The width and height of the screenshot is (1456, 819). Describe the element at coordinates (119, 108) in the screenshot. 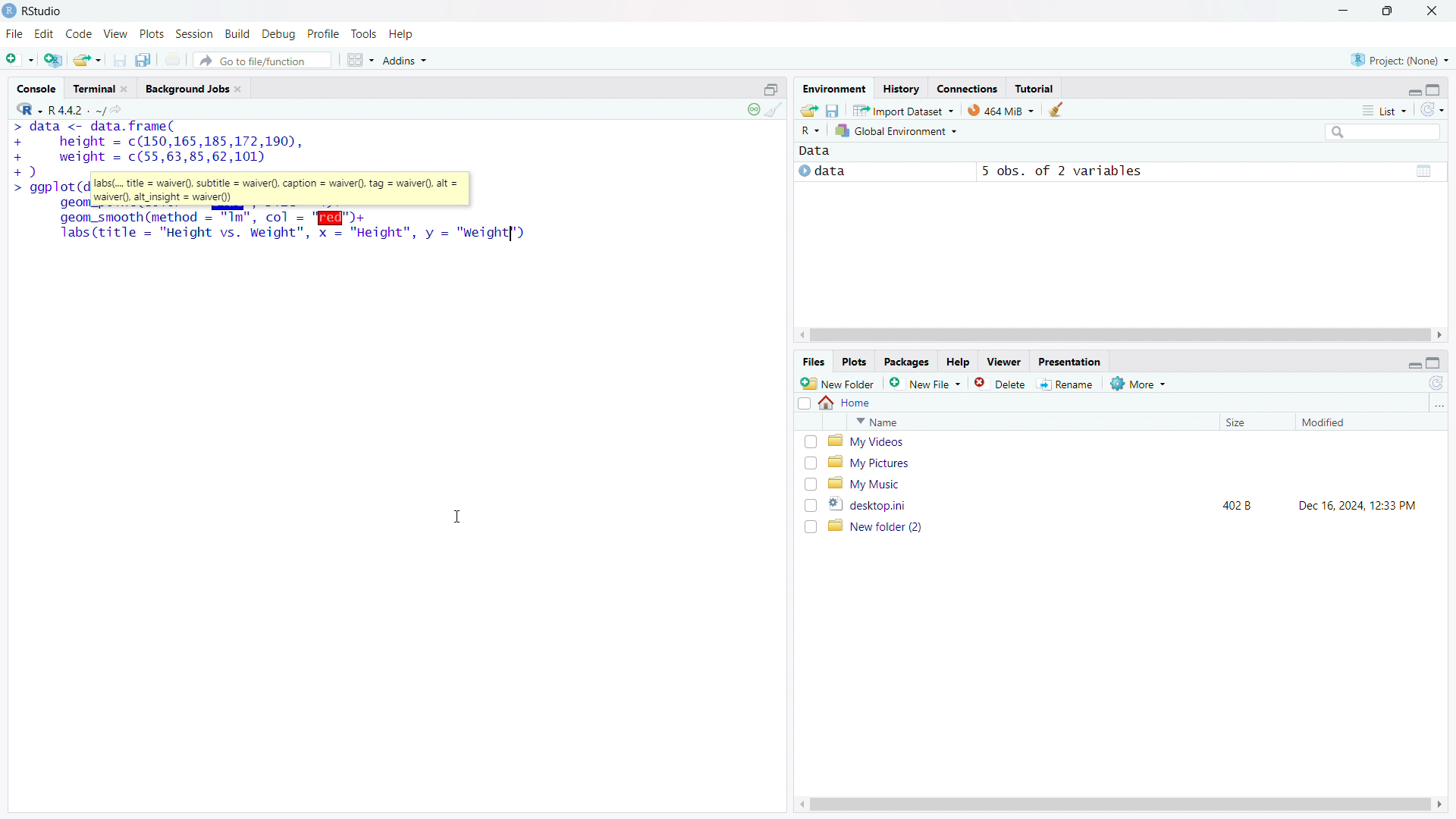

I see `view the current working directory` at that location.